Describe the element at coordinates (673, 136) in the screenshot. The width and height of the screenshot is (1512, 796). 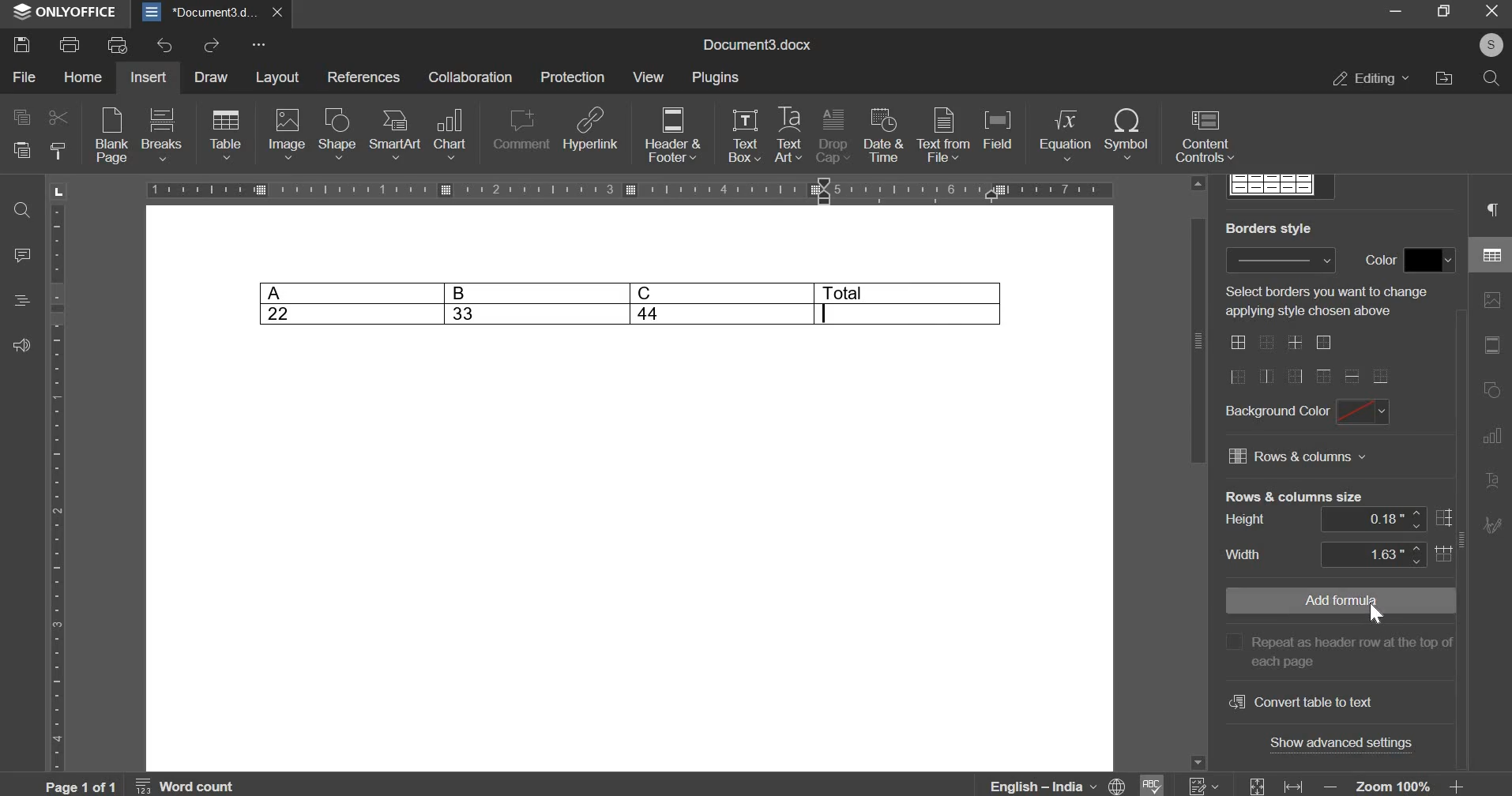
I see `header & footer` at that location.